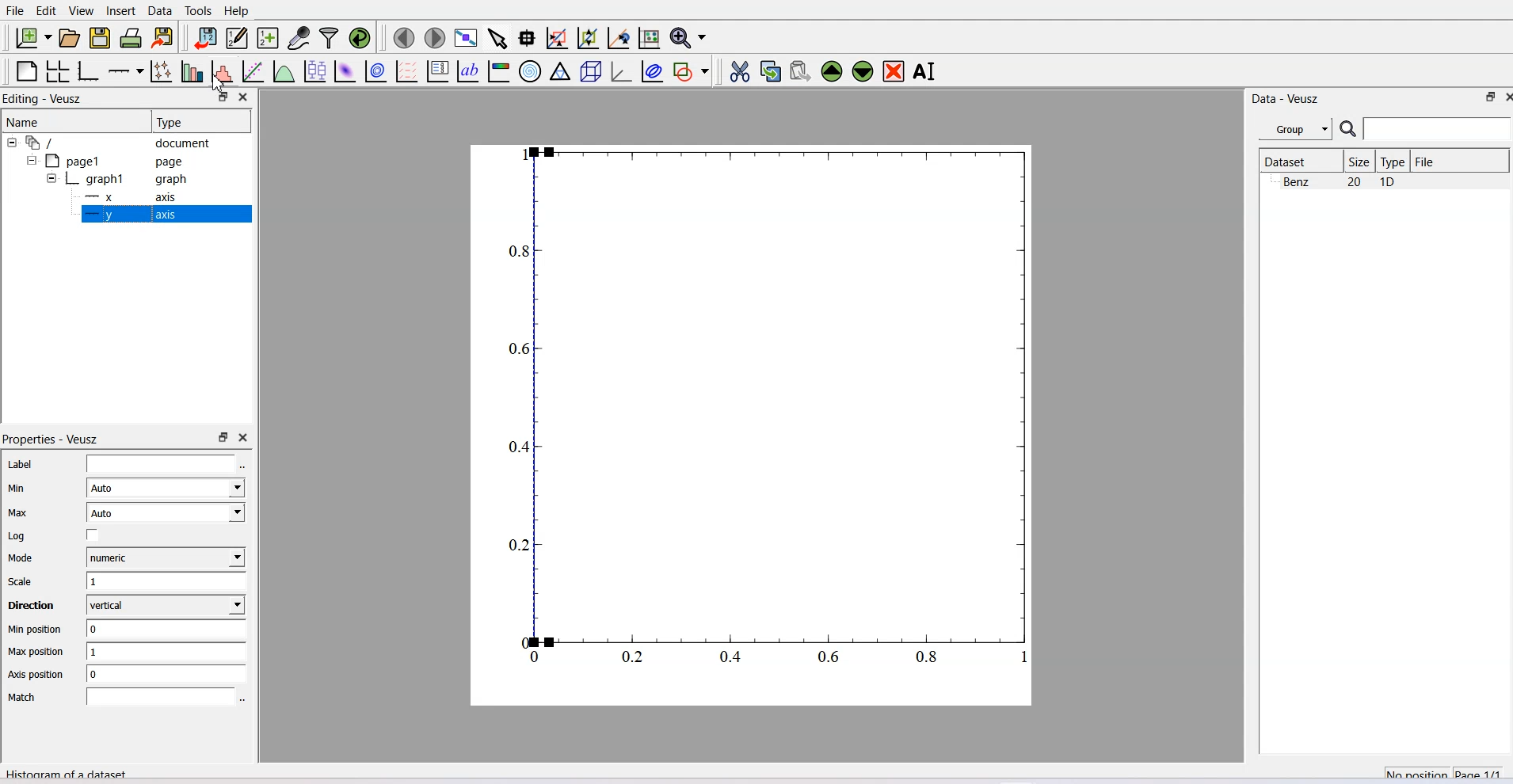  What do you see at coordinates (123, 556) in the screenshot?
I see `Mode` at bounding box center [123, 556].